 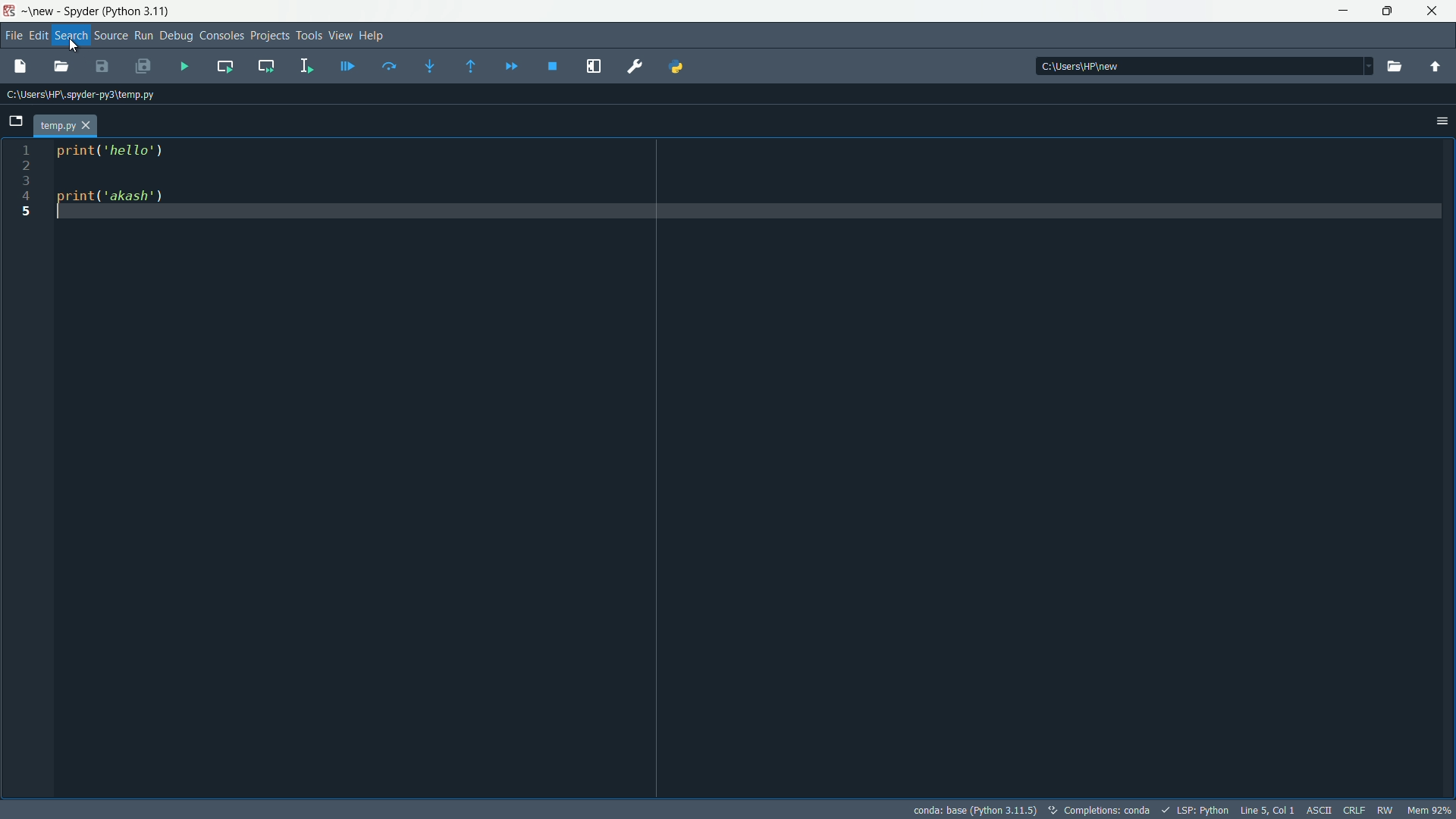 What do you see at coordinates (262, 65) in the screenshot?
I see `run current cell and go to the next one` at bounding box center [262, 65].